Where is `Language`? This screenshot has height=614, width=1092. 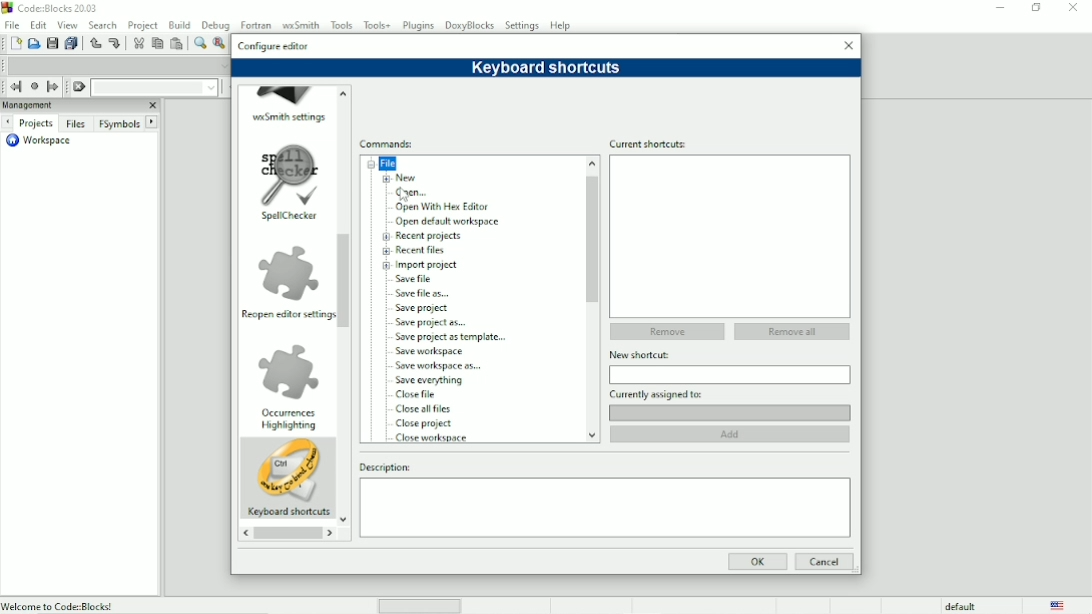 Language is located at coordinates (1059, 605).